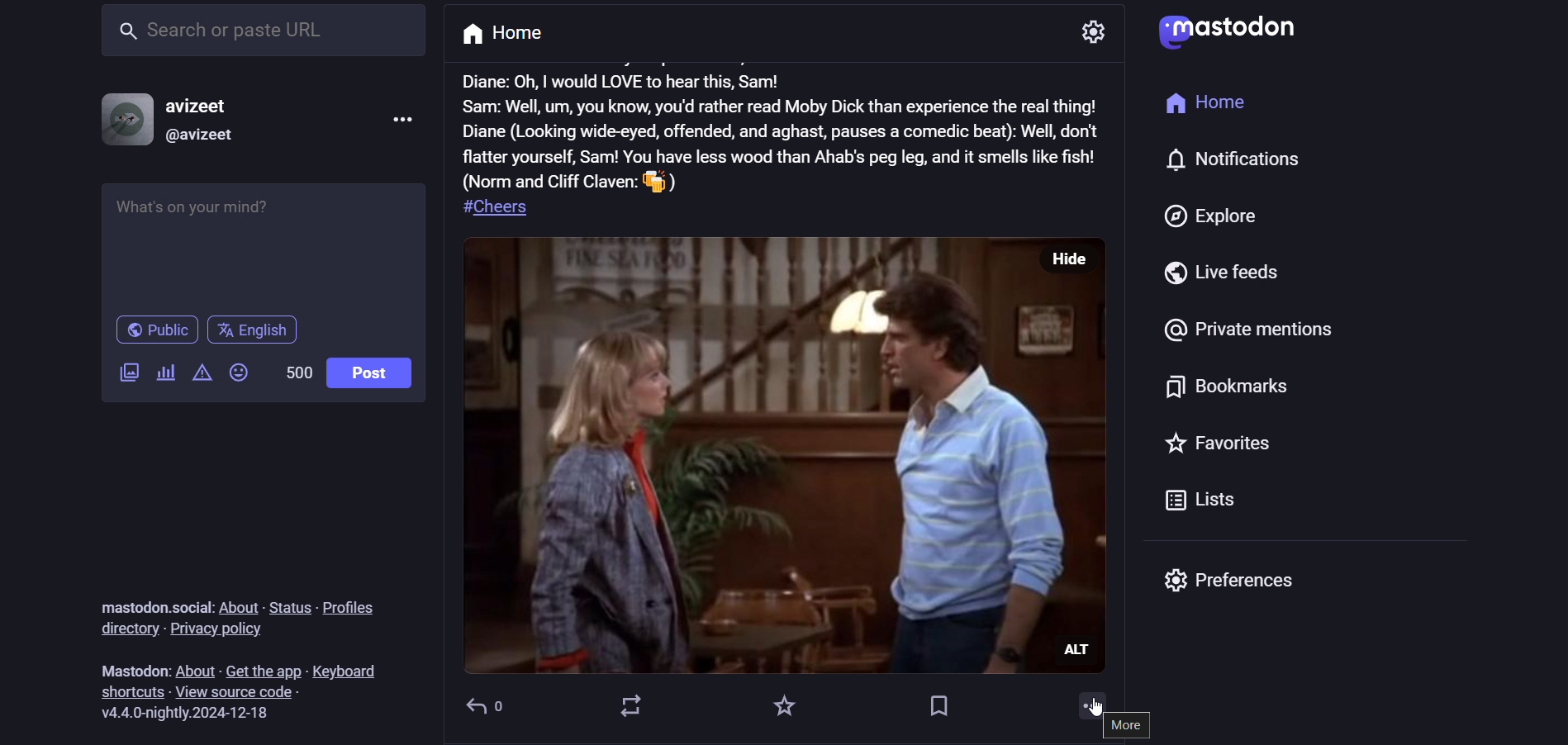 Image resolution: width=1568 pixels, height=745 pixels. What do you see at coordinates (1100, 30) in the screenshot?
I see `setting` at bounding box center [1100, 30].